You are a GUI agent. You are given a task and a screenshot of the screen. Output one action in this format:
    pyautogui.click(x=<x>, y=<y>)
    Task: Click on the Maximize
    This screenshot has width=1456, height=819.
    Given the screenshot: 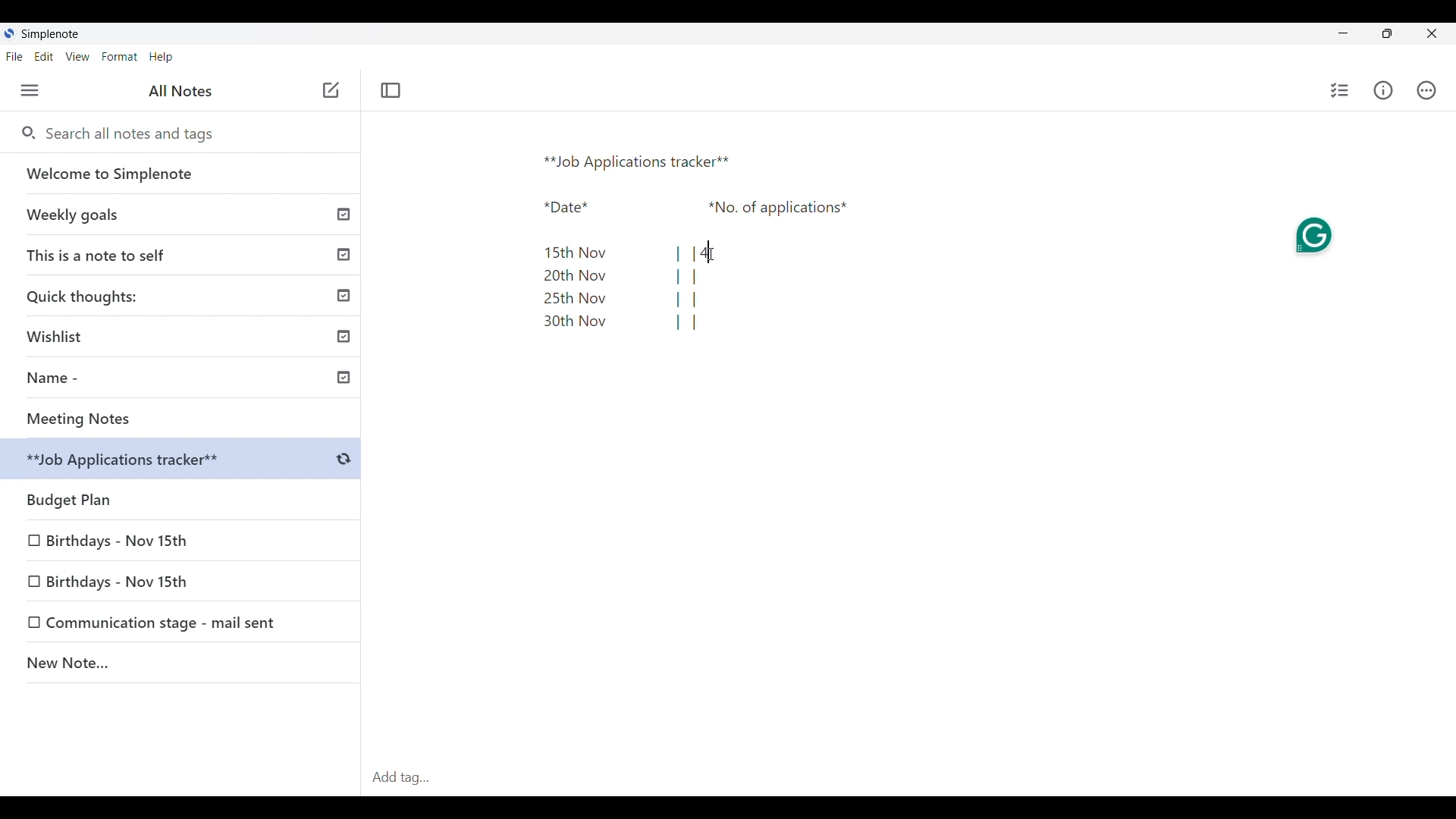 What is the action you would take?
    pyautogui.click(x=1387, y=33)
    